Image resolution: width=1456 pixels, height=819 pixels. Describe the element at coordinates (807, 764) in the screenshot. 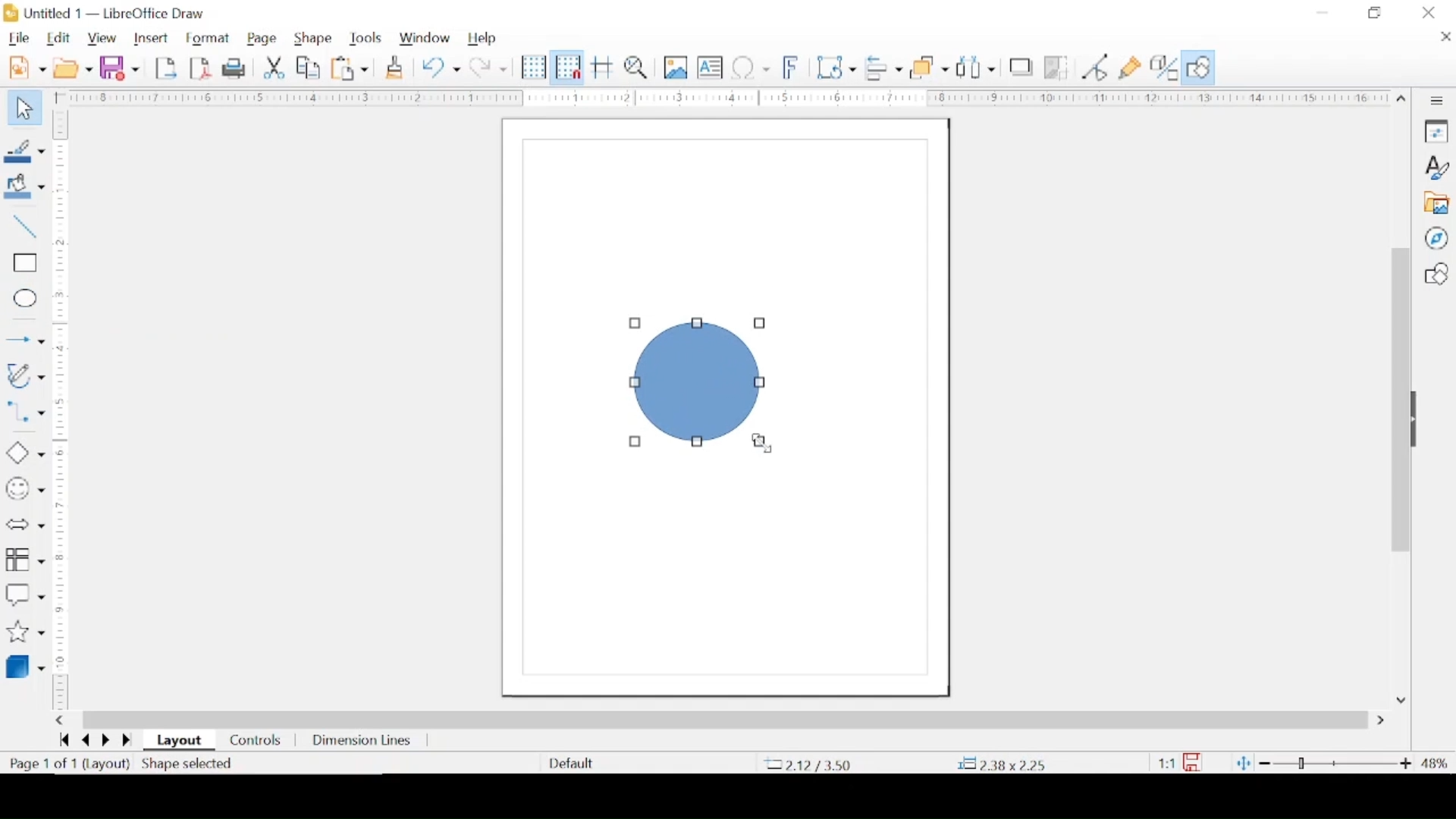

I see `coordinate` at that location.